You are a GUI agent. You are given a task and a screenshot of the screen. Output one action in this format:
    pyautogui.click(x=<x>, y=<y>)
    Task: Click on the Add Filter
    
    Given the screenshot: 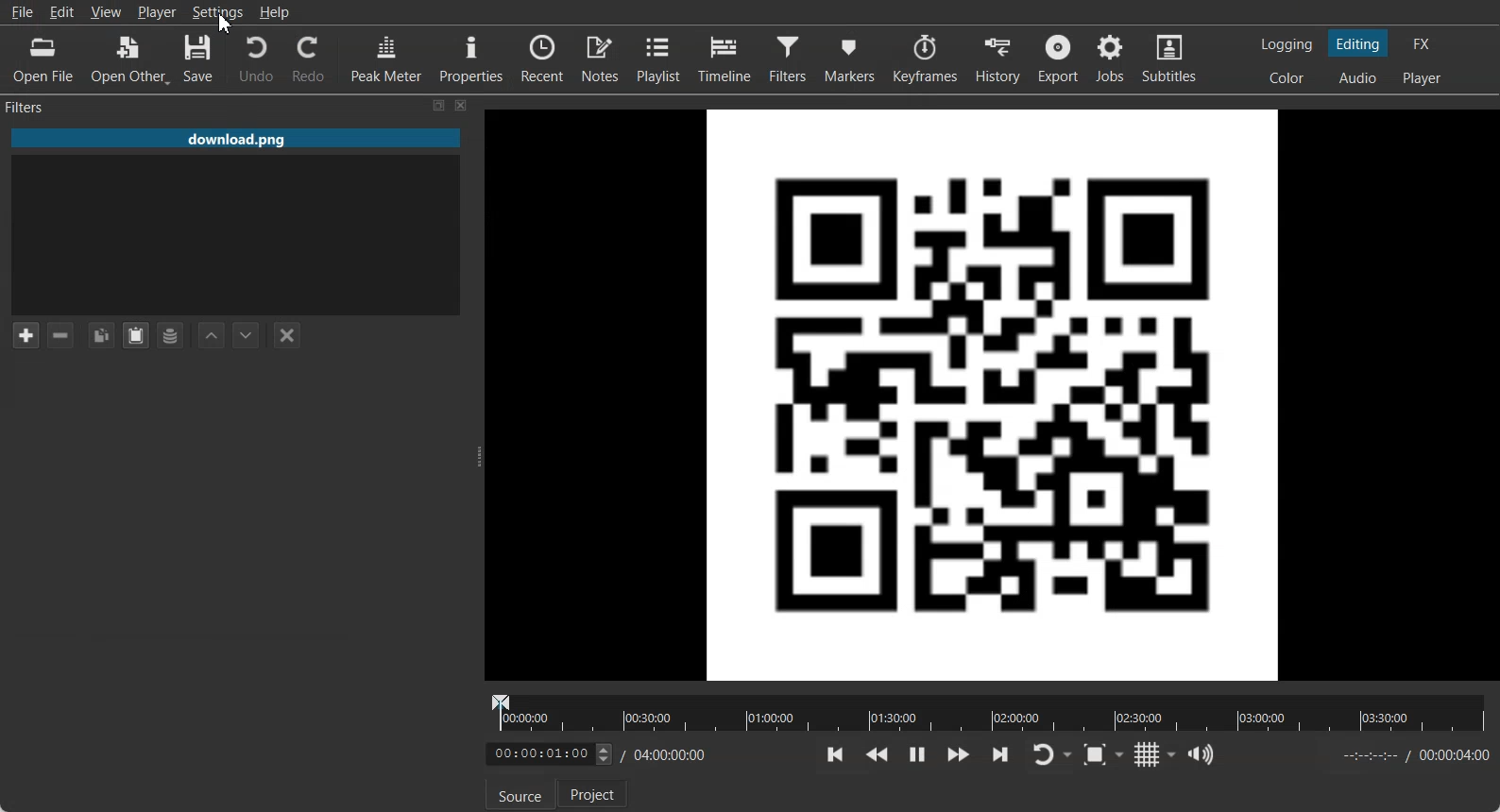 What is the action you would take?
    pyautogui.click(x=25, y=334)
    